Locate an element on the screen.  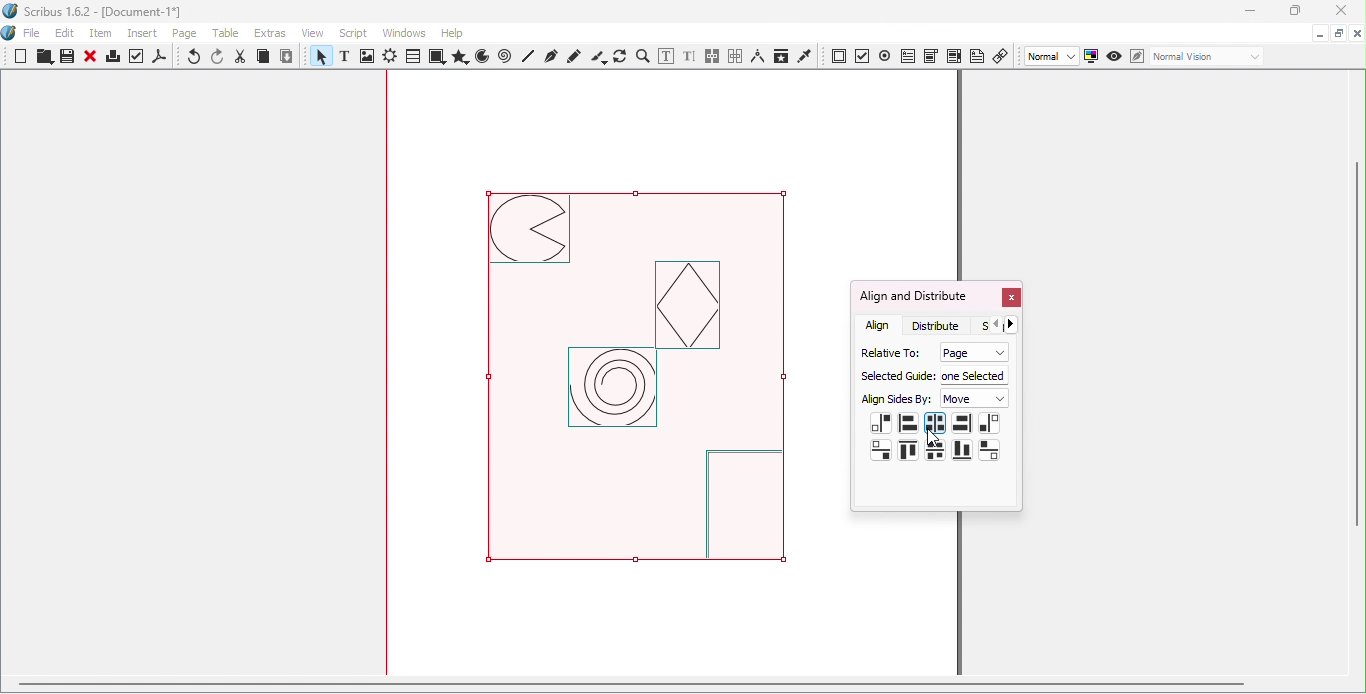
Page is located at coordinates (188, 35).